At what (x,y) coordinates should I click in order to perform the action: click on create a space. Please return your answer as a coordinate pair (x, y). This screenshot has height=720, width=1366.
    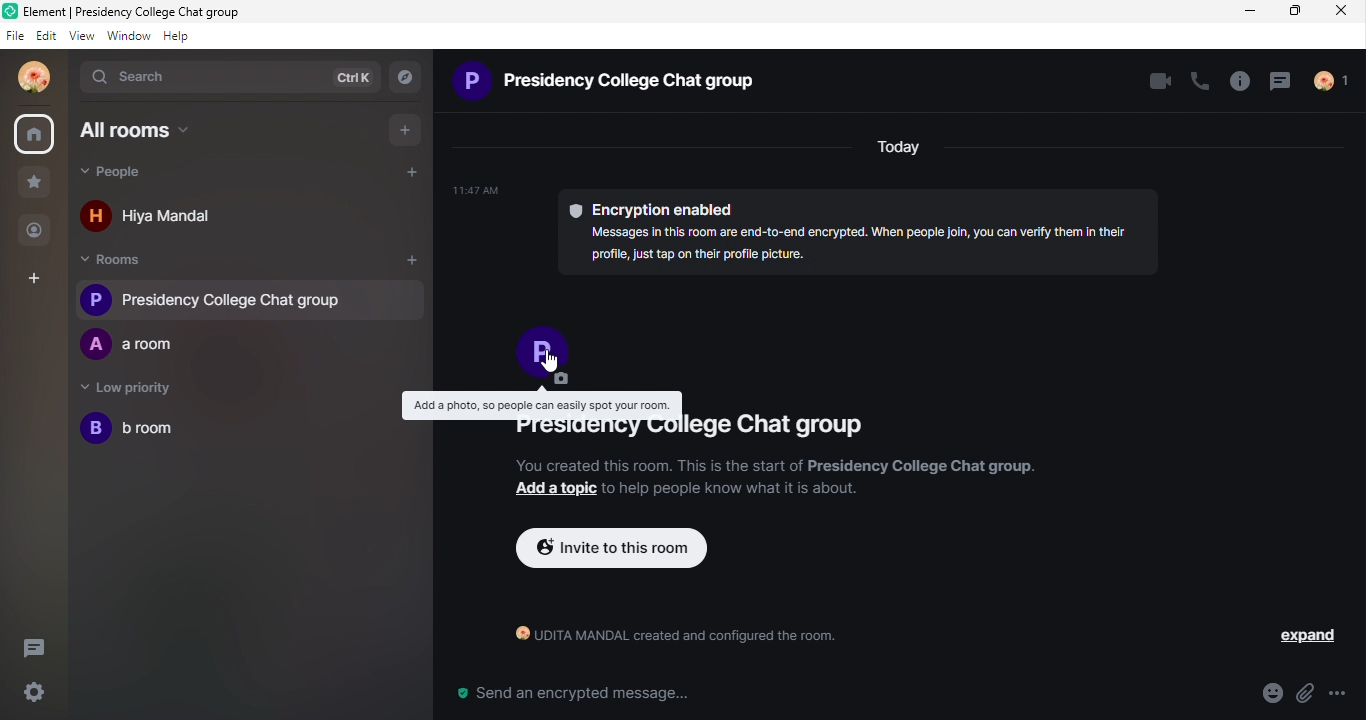
    Looking at the image, I should click on (41, 278).